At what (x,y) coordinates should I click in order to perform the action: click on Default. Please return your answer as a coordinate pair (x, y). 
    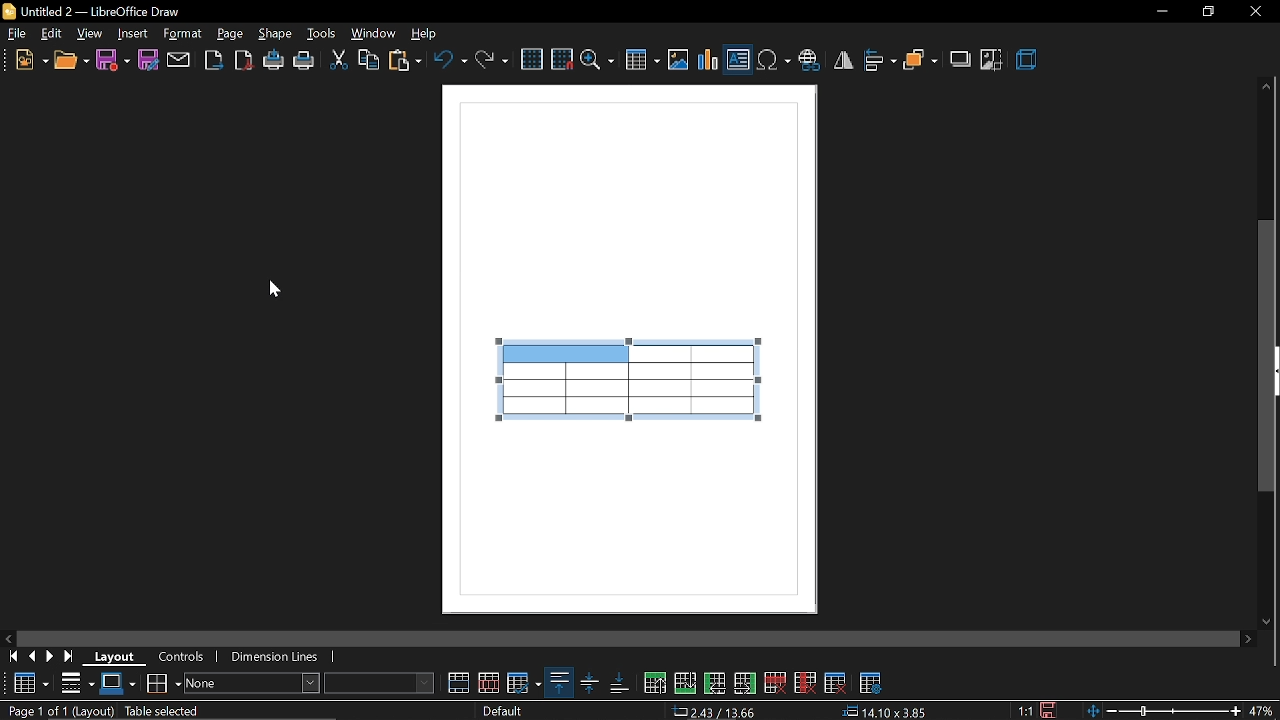
    Looking at the image, I should click on (506, 711).